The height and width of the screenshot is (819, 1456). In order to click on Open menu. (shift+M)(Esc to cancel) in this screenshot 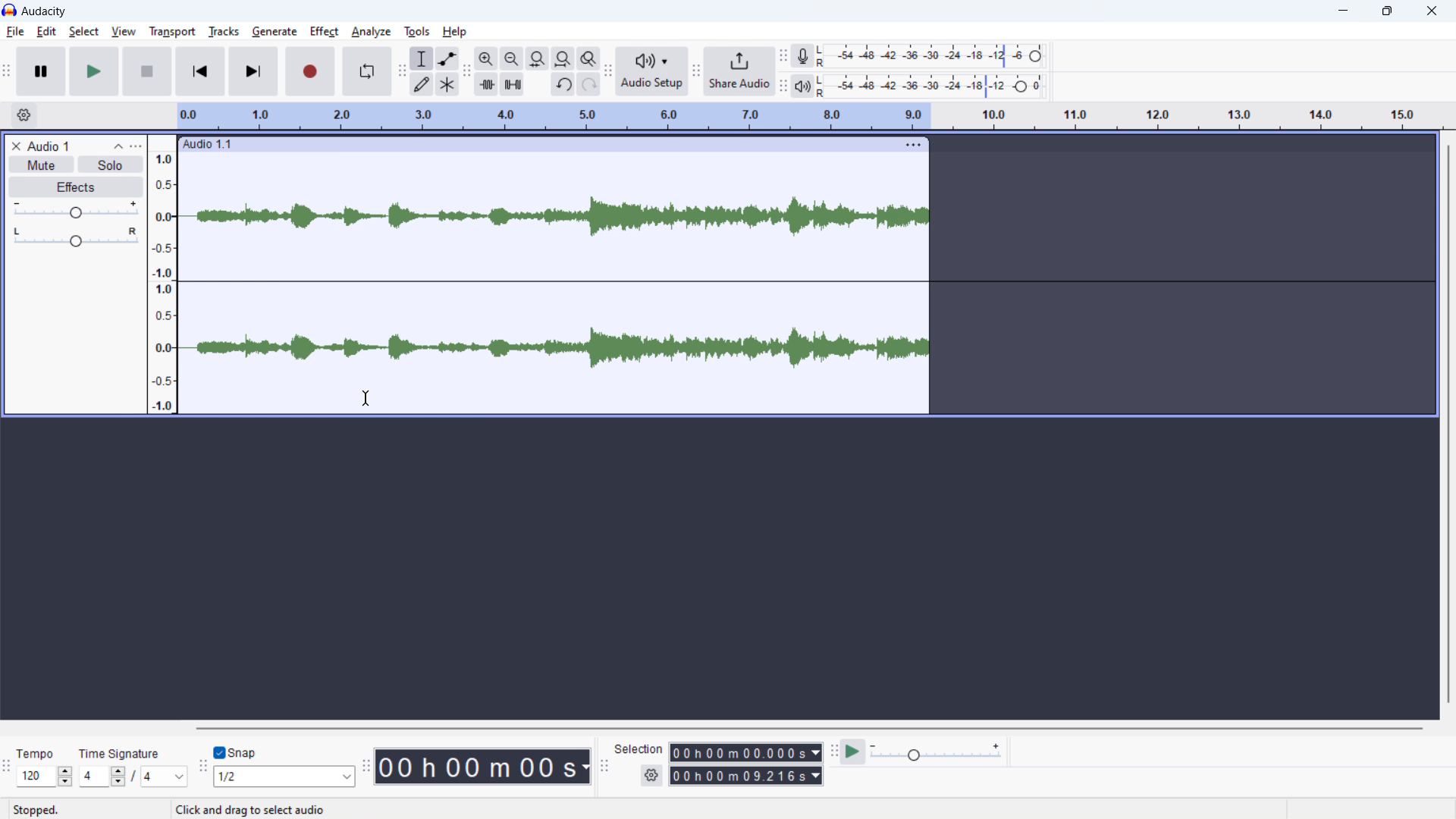, I will do `click(281, 810)`.